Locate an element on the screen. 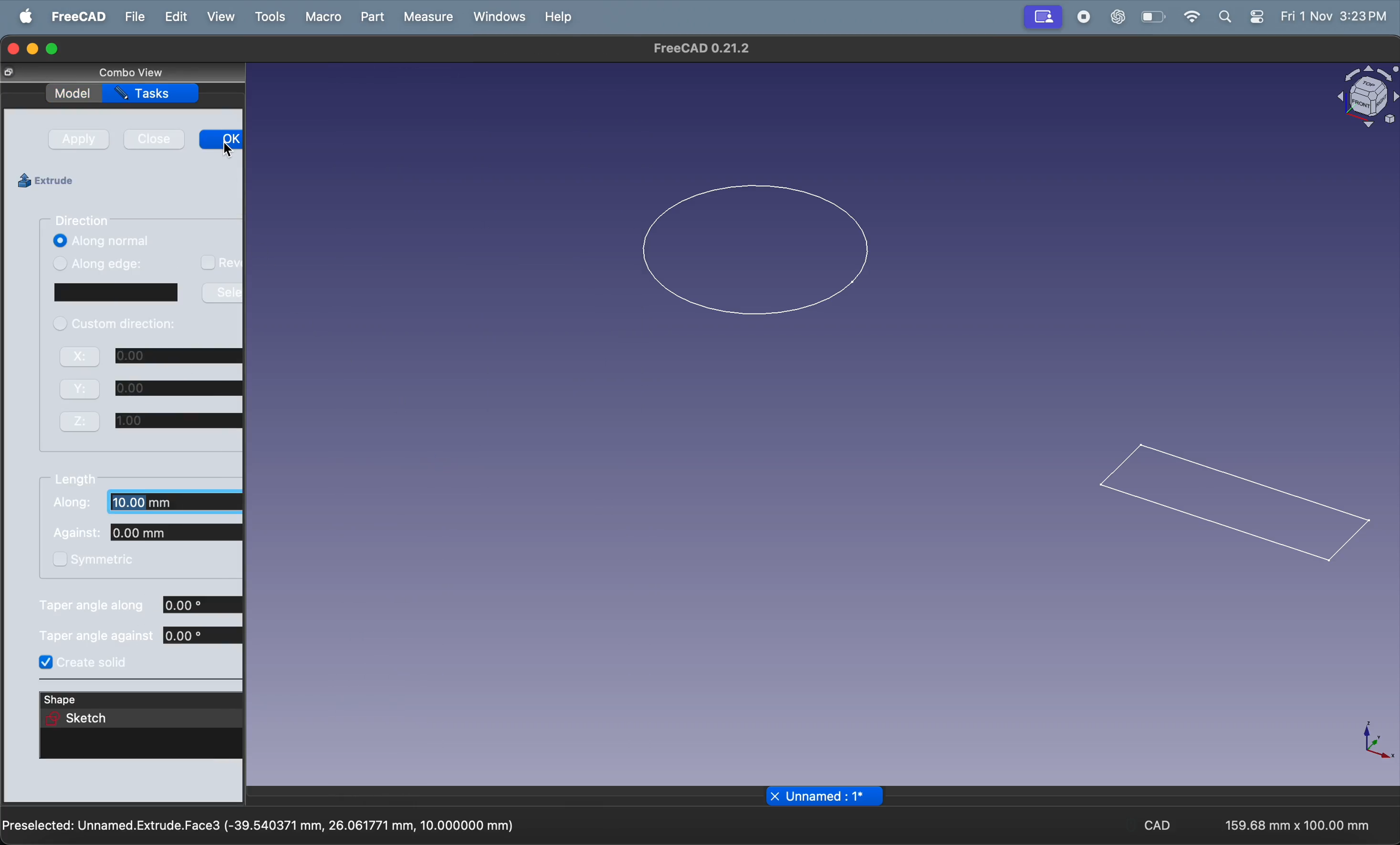 The image size is (1400, 845). Marco is located at coordinates (322, 16).